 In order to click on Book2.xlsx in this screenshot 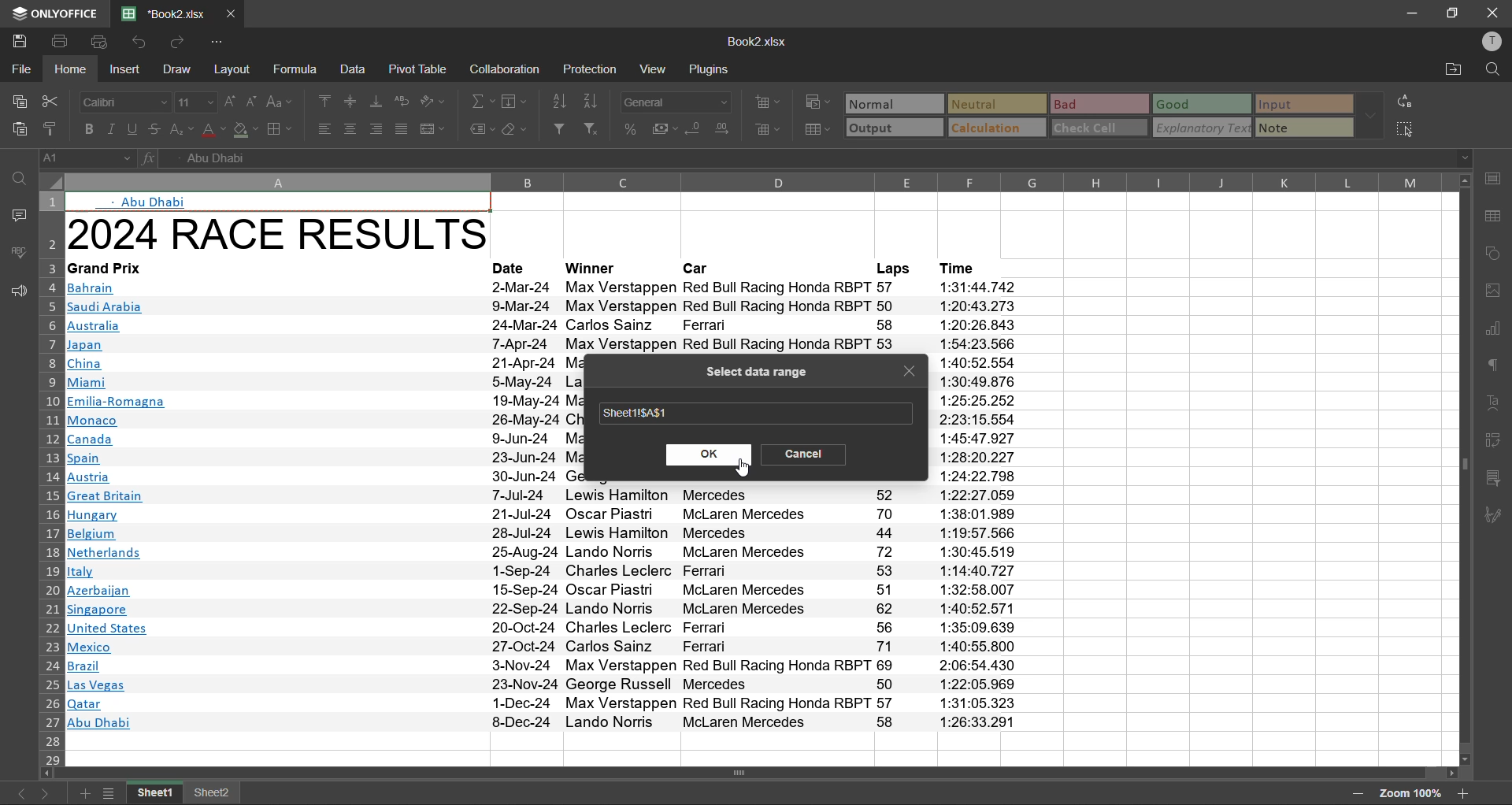, I will do `click(755, 43)`.